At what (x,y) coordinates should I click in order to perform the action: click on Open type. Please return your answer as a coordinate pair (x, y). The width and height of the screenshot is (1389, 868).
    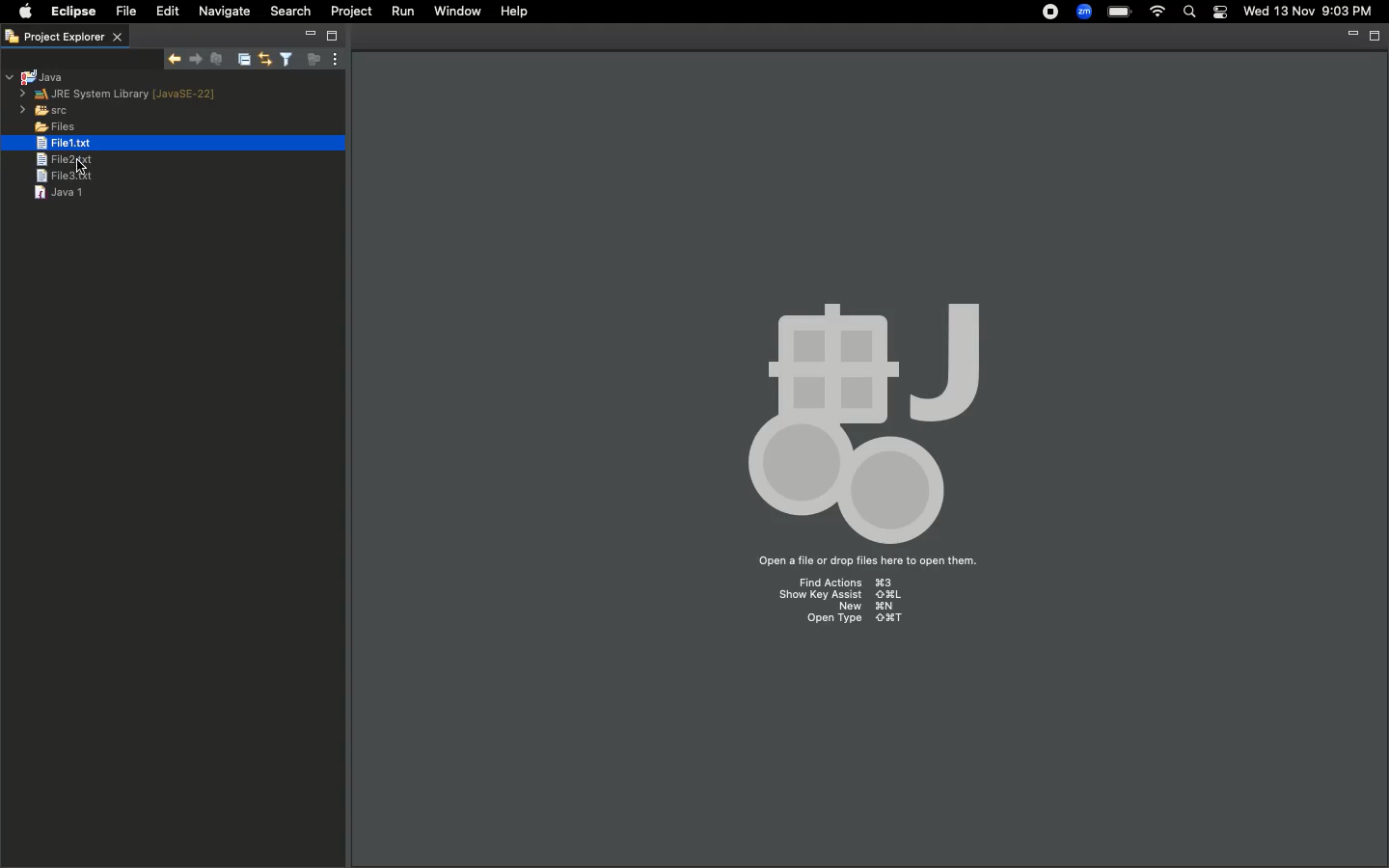
    Looking at the image, I should click on (848, 622).